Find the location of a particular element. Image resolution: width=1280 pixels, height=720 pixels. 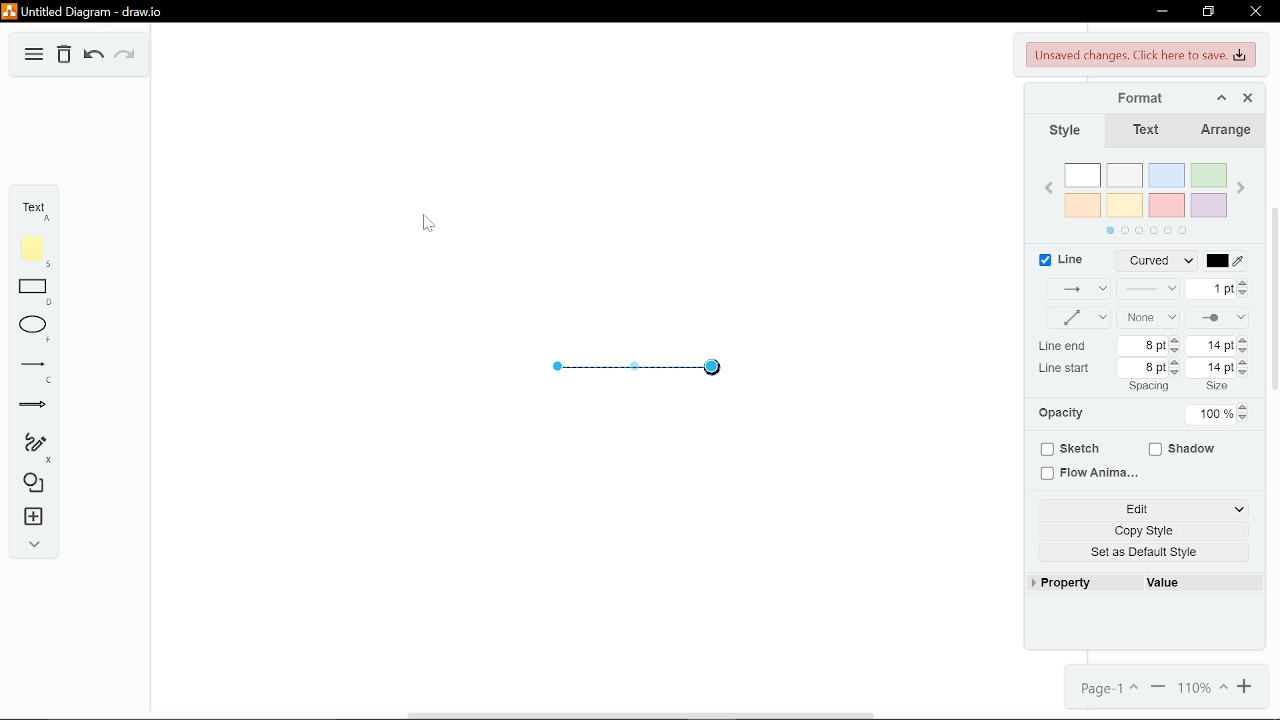

Current opacity is located at coordinates (1208, 415).